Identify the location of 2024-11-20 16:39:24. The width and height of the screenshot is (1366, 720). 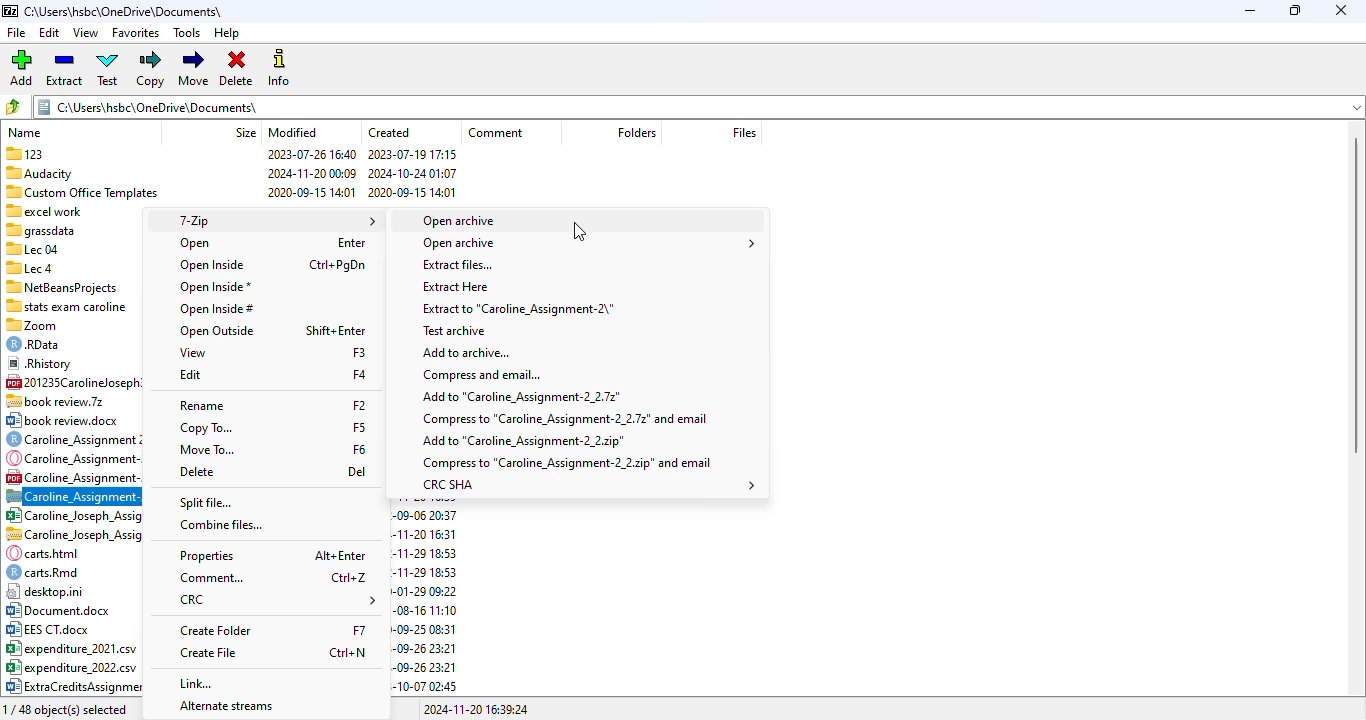
(475, 710).